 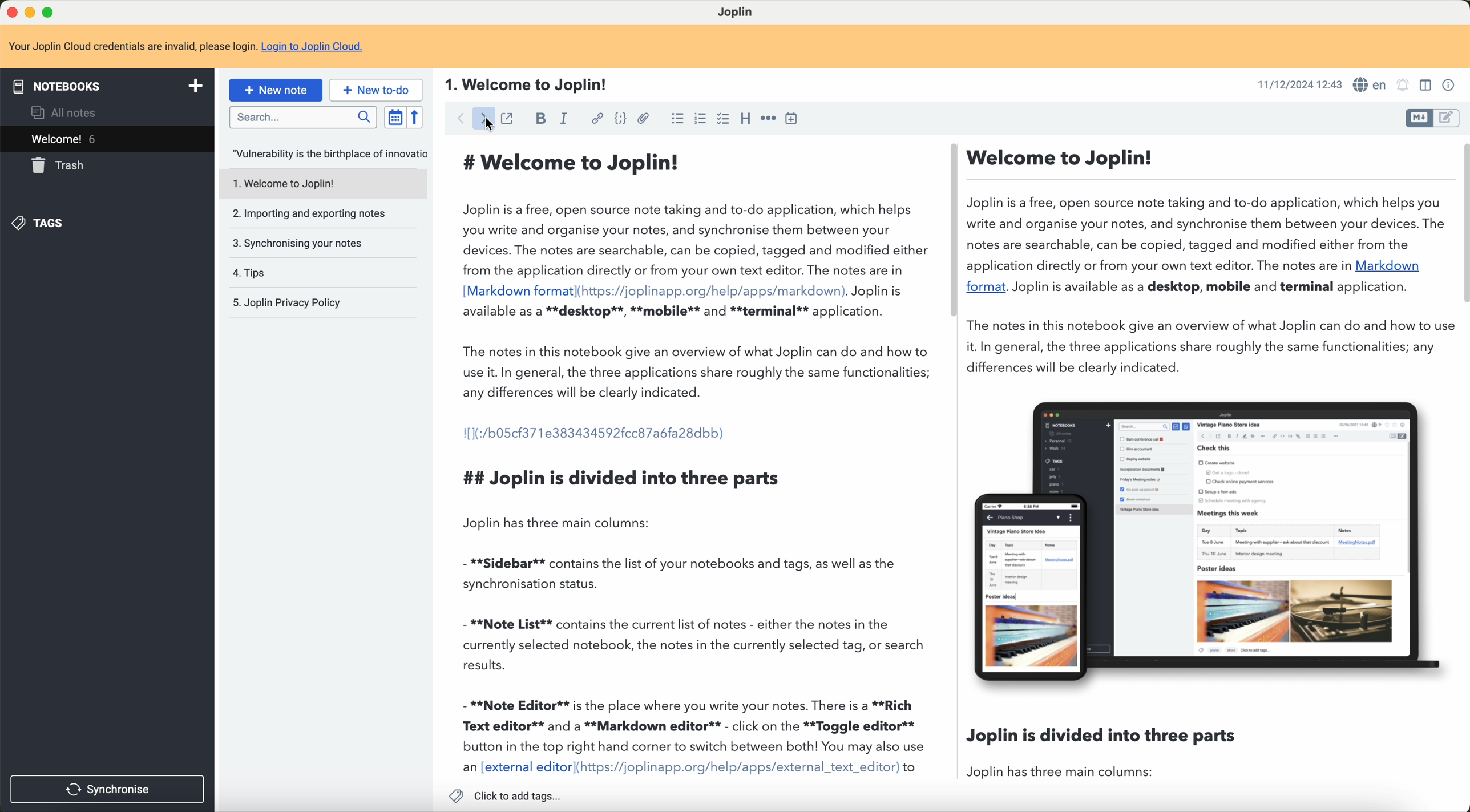 What do you see at coordinates (256, 271) in the screenshot?
I see `tips` at bounding box center [256, 271].